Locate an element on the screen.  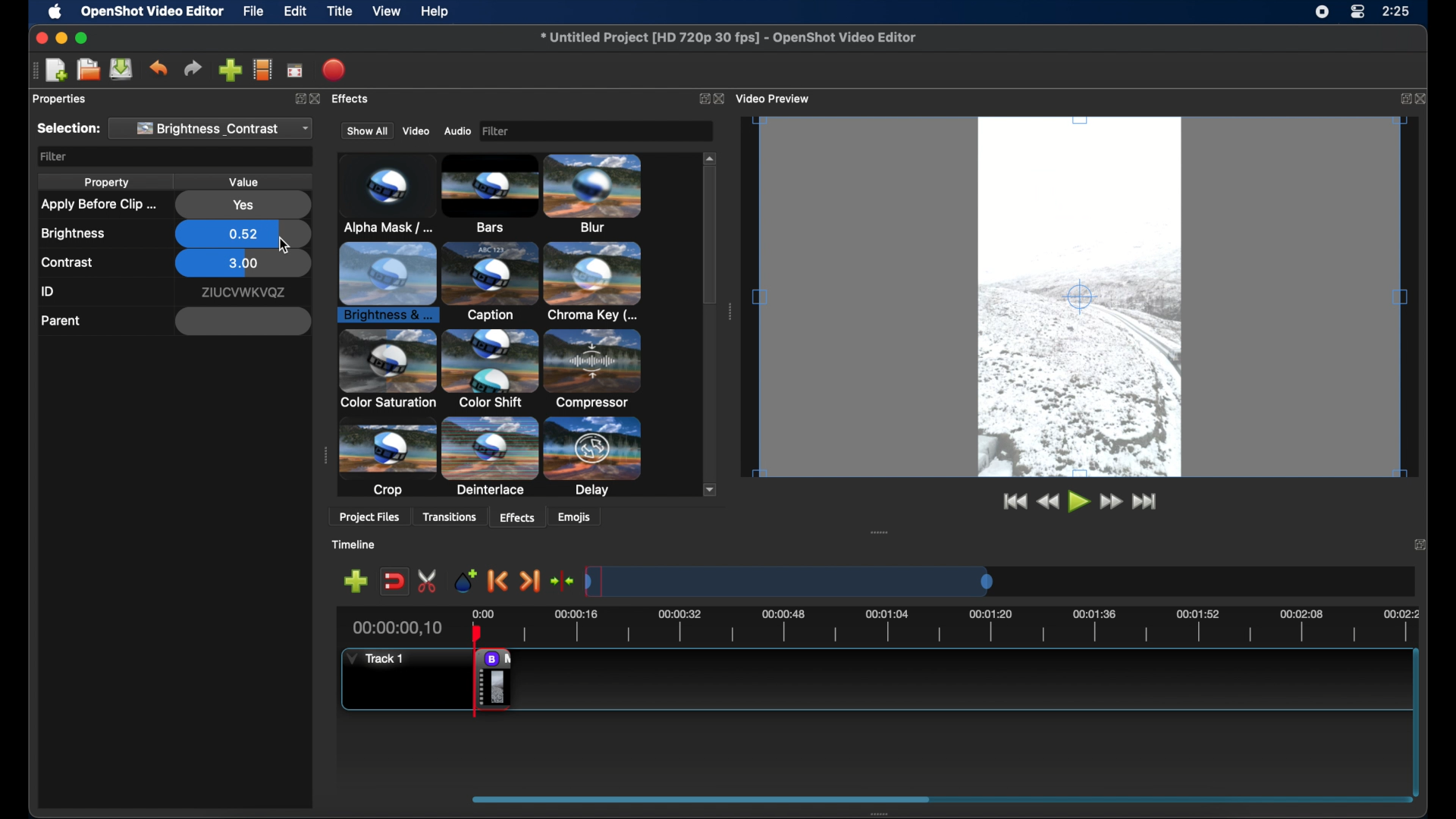
timeline scale is located at coordinates (952, 624).